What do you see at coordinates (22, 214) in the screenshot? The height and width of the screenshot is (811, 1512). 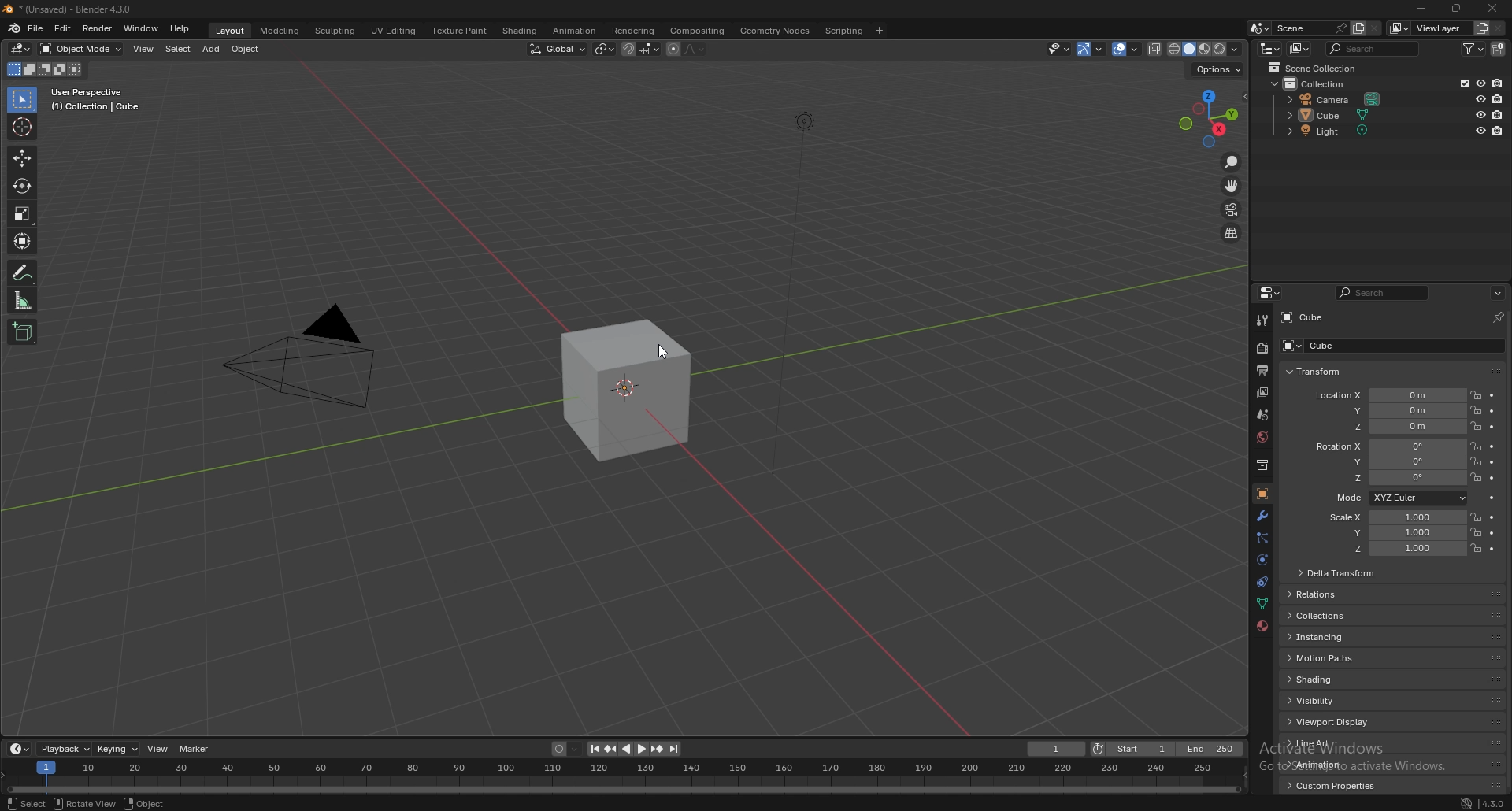 I see `scale` at bounding box center [22, 214].